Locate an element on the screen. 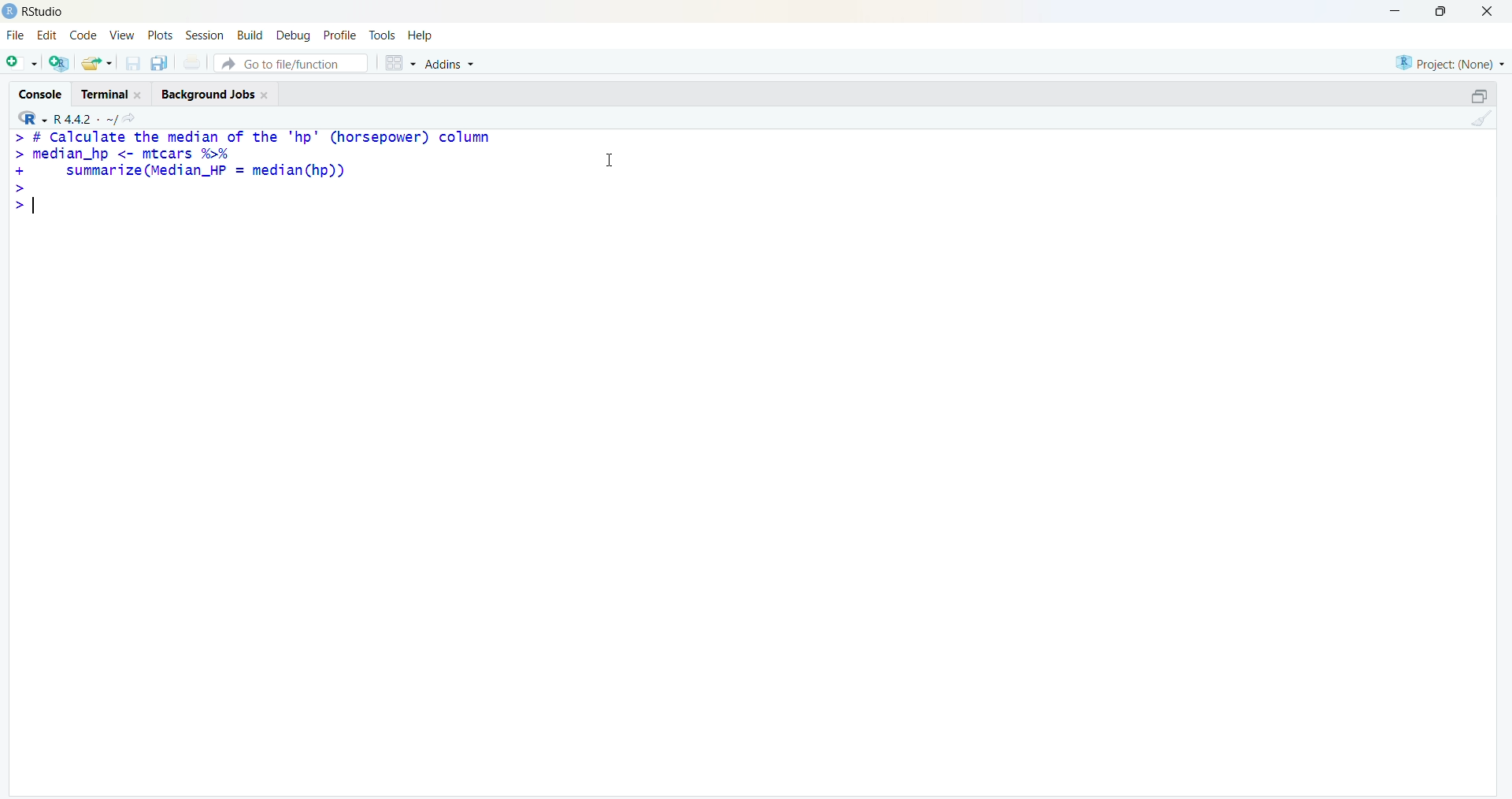 The width and height of the screenshot is (1512, 799). plots is located at coordinates (160, 35).